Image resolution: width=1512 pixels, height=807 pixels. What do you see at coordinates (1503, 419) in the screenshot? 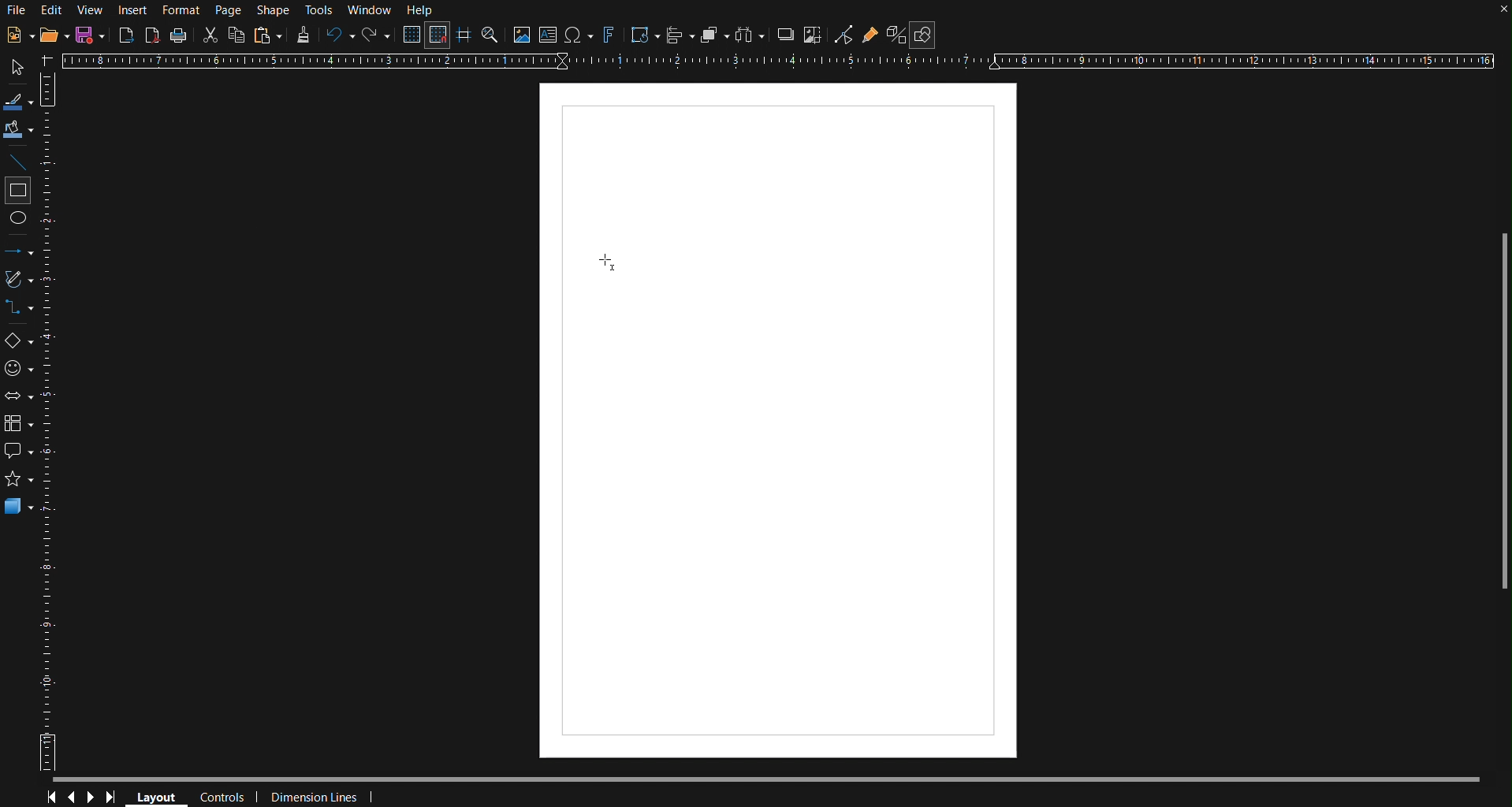
I see `Scrollbar` at bounding box center [1503, 419].